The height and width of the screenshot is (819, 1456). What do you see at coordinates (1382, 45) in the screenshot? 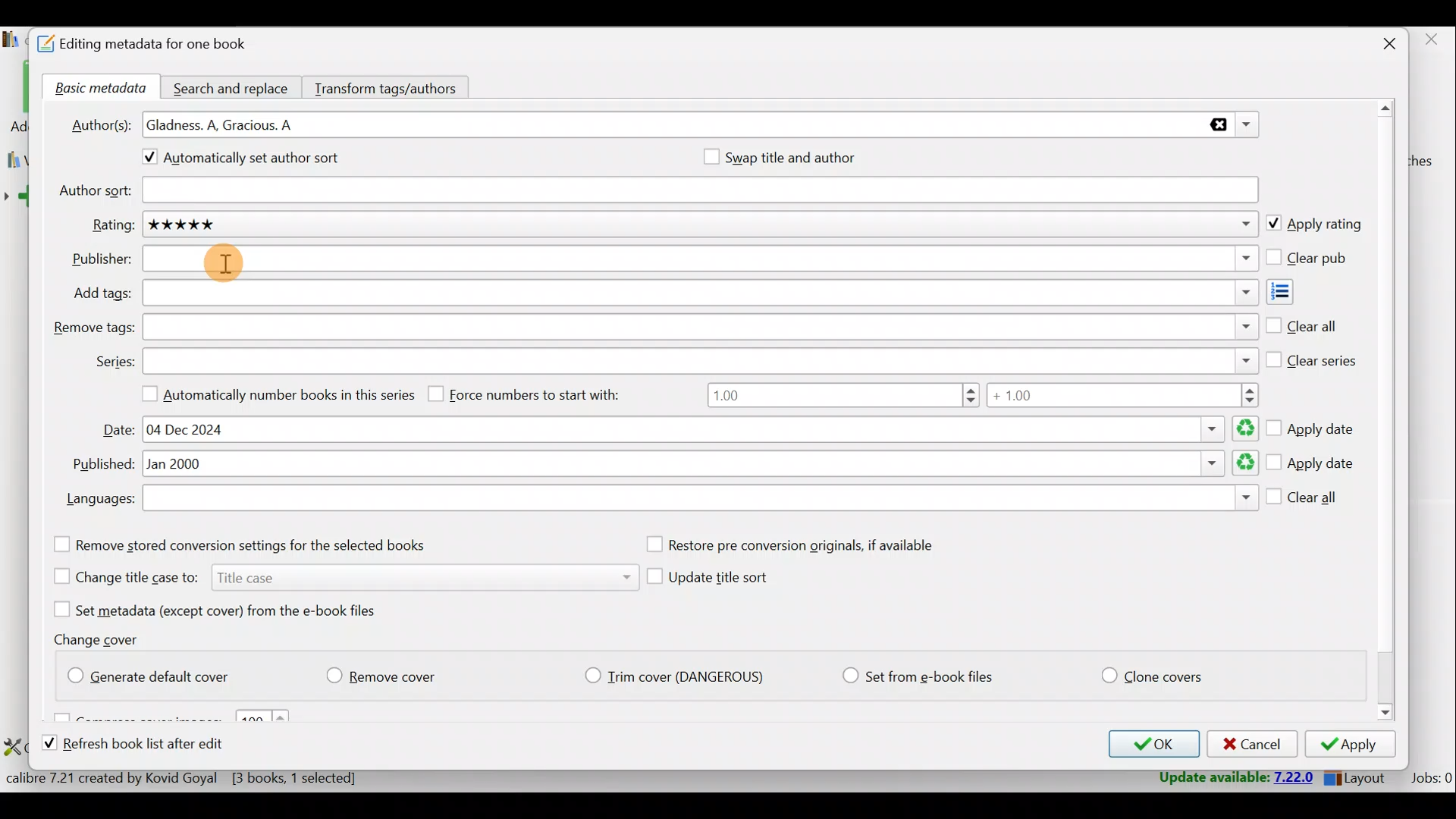
I see `Close` at bounding box center [1382, 45].